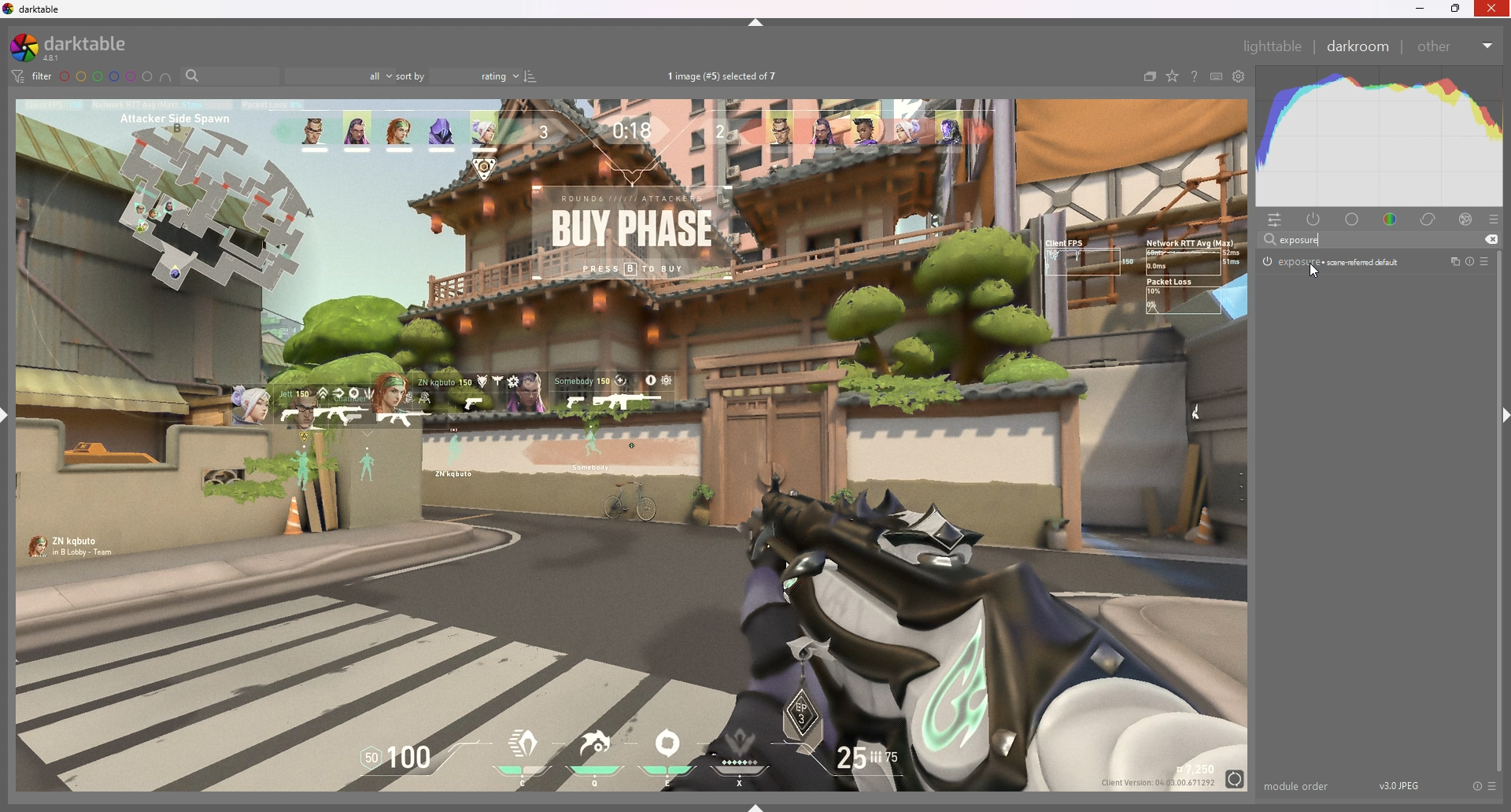  What do you see at coordinates (1486, 261) in the screenshot?
I see `presets` at bounding box center [1486, 261].